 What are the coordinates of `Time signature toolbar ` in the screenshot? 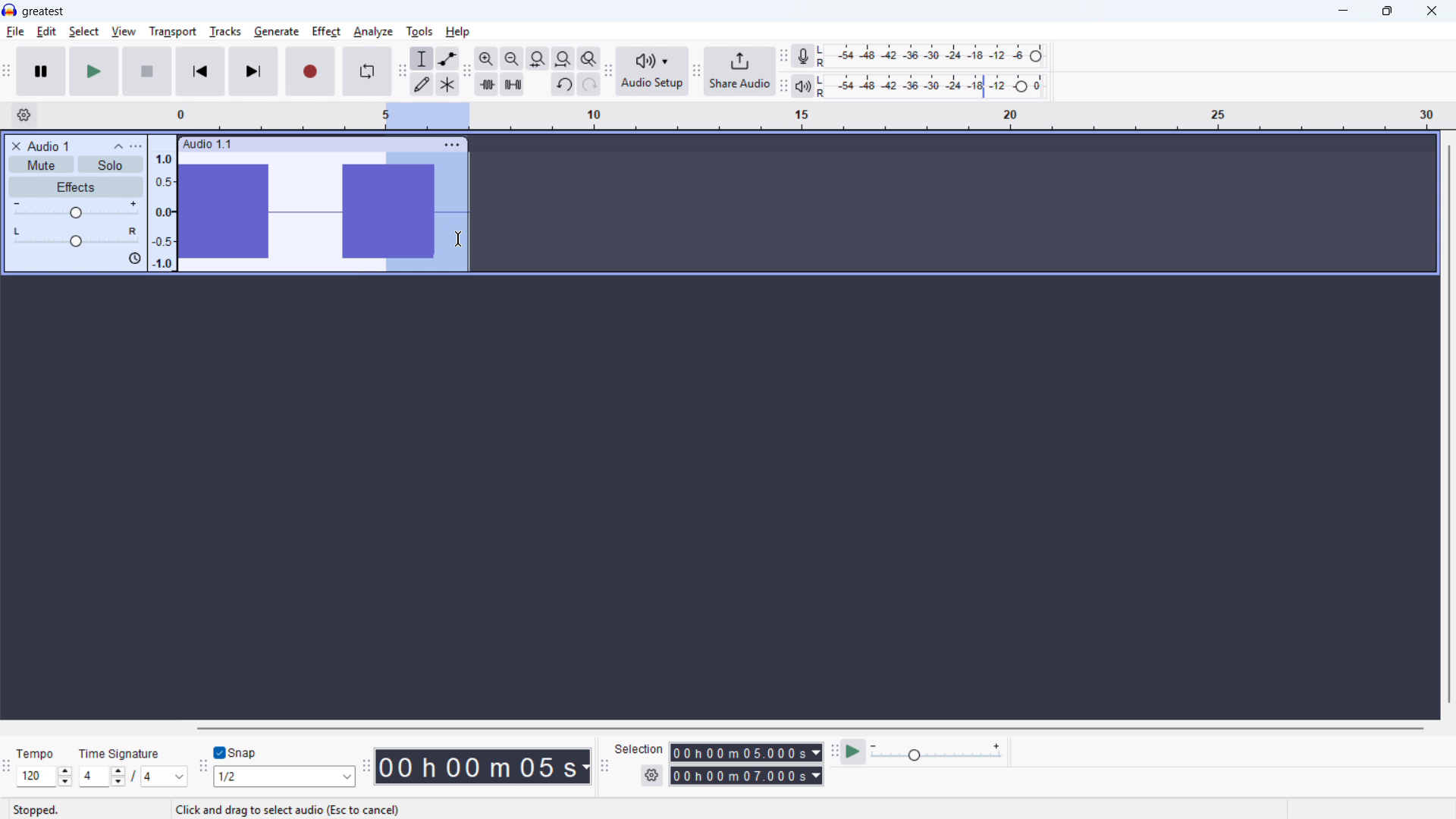 It's located at (8, 770).